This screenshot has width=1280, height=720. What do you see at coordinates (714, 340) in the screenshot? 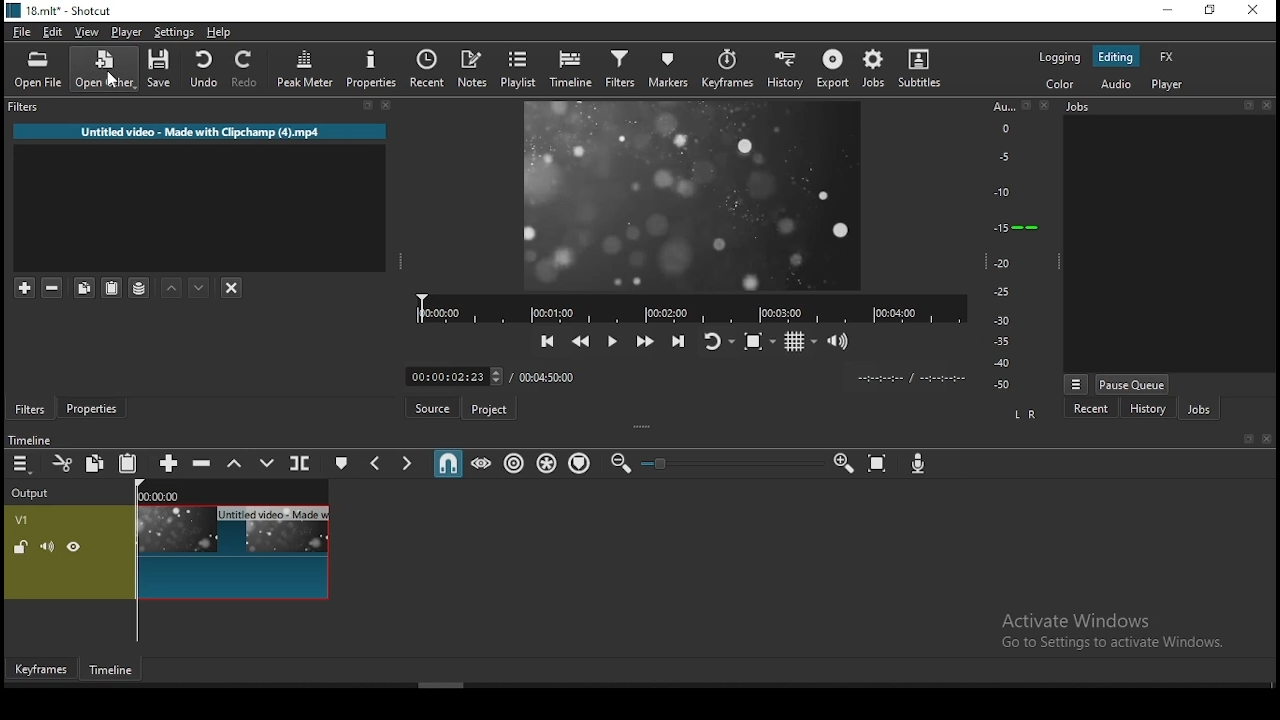
I see `toggle player looping` at bounding box center [714, 340].